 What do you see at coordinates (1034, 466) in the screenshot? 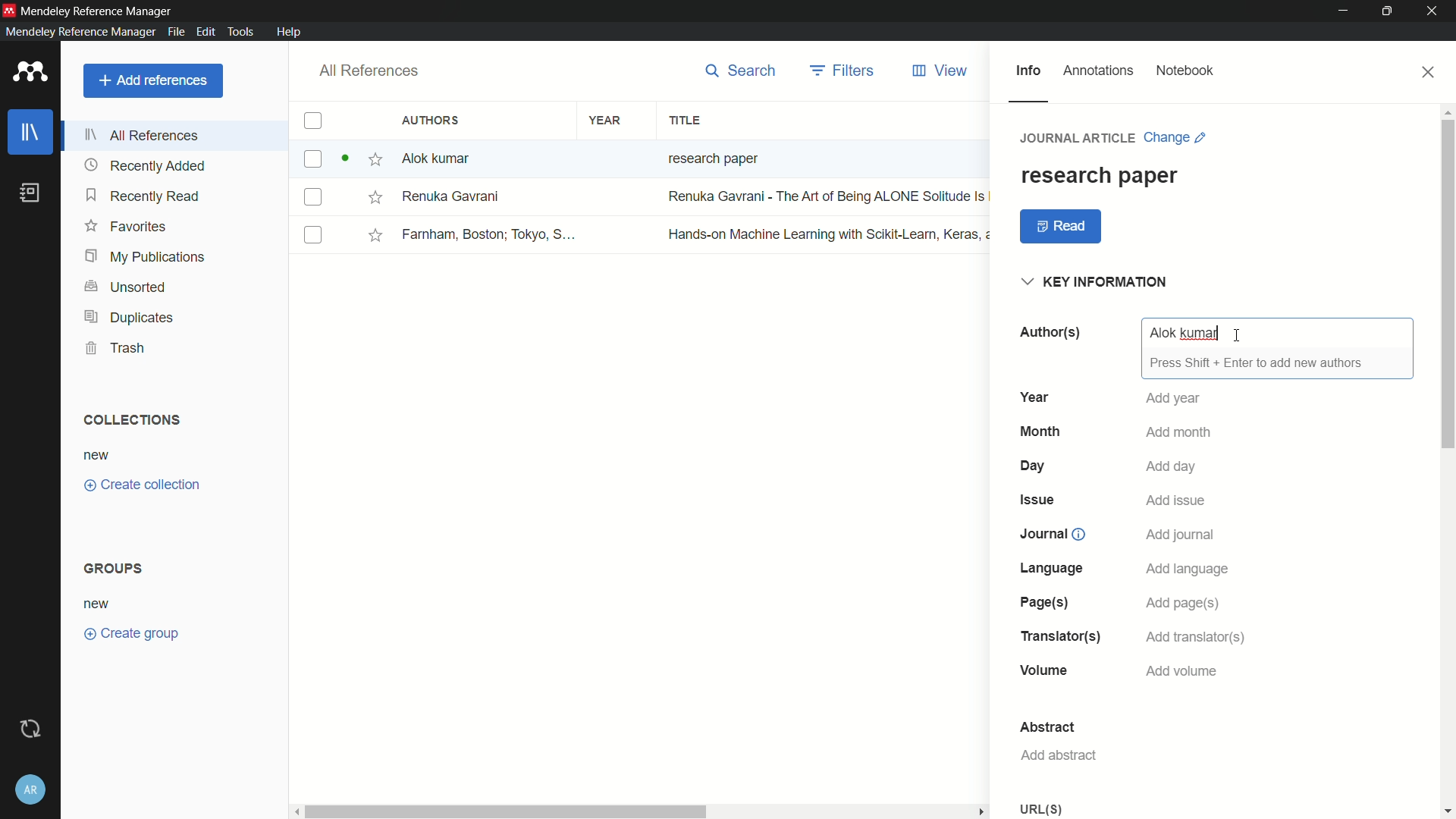
I see `day` at bounding box center [1034, 466].